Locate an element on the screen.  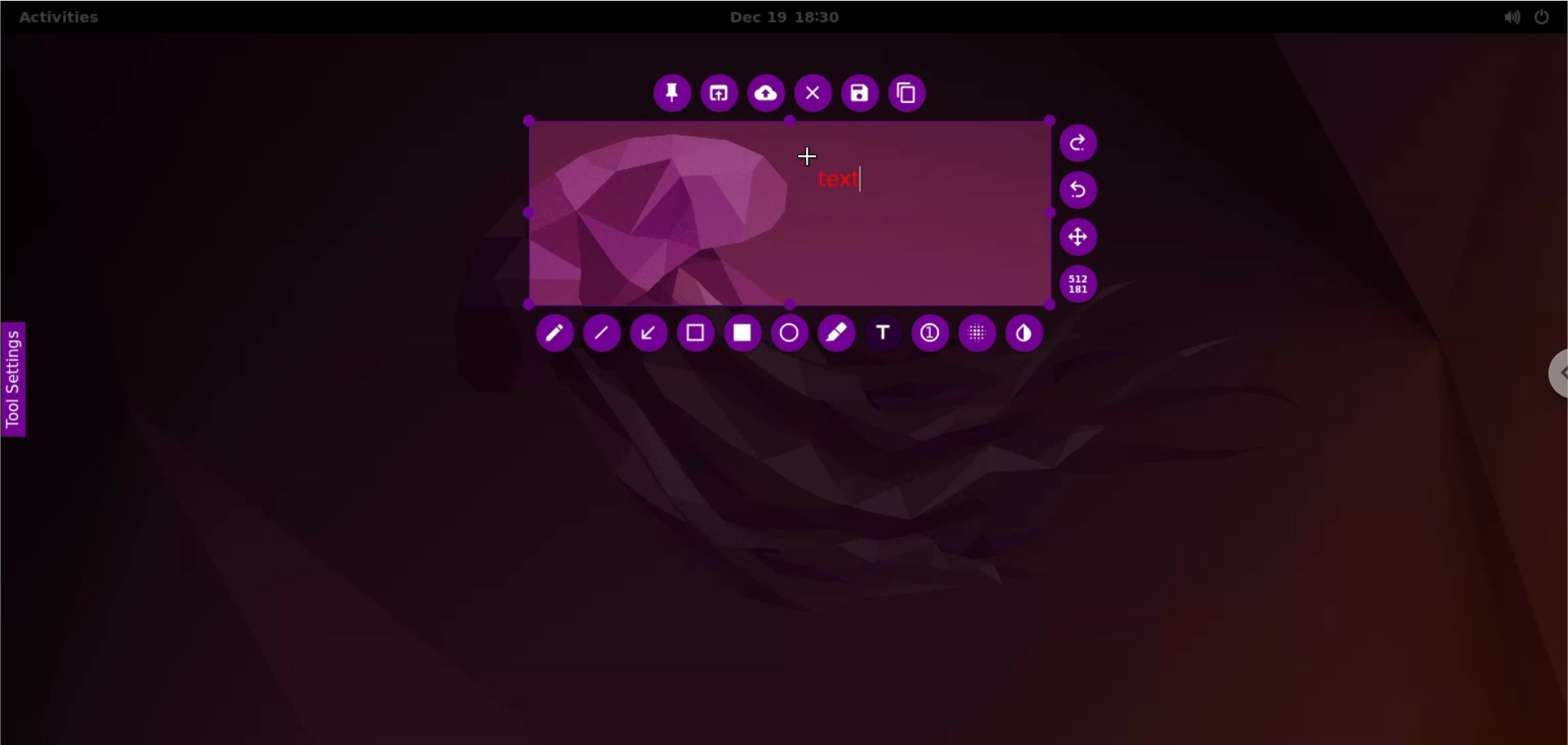
redo is located at coordinates (1081, 145).